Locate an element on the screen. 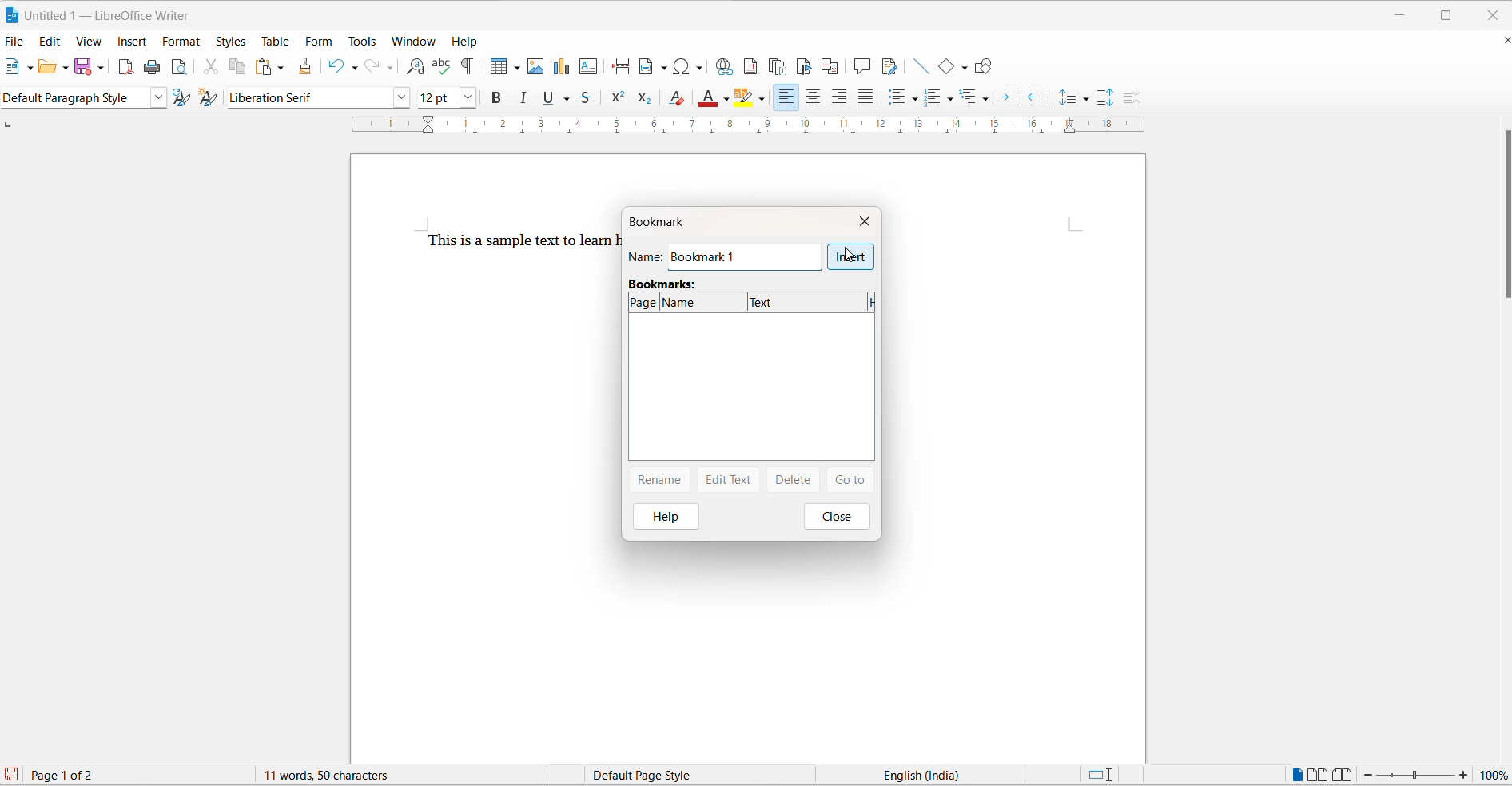  dialog box title is located at coordinates (672, 222).